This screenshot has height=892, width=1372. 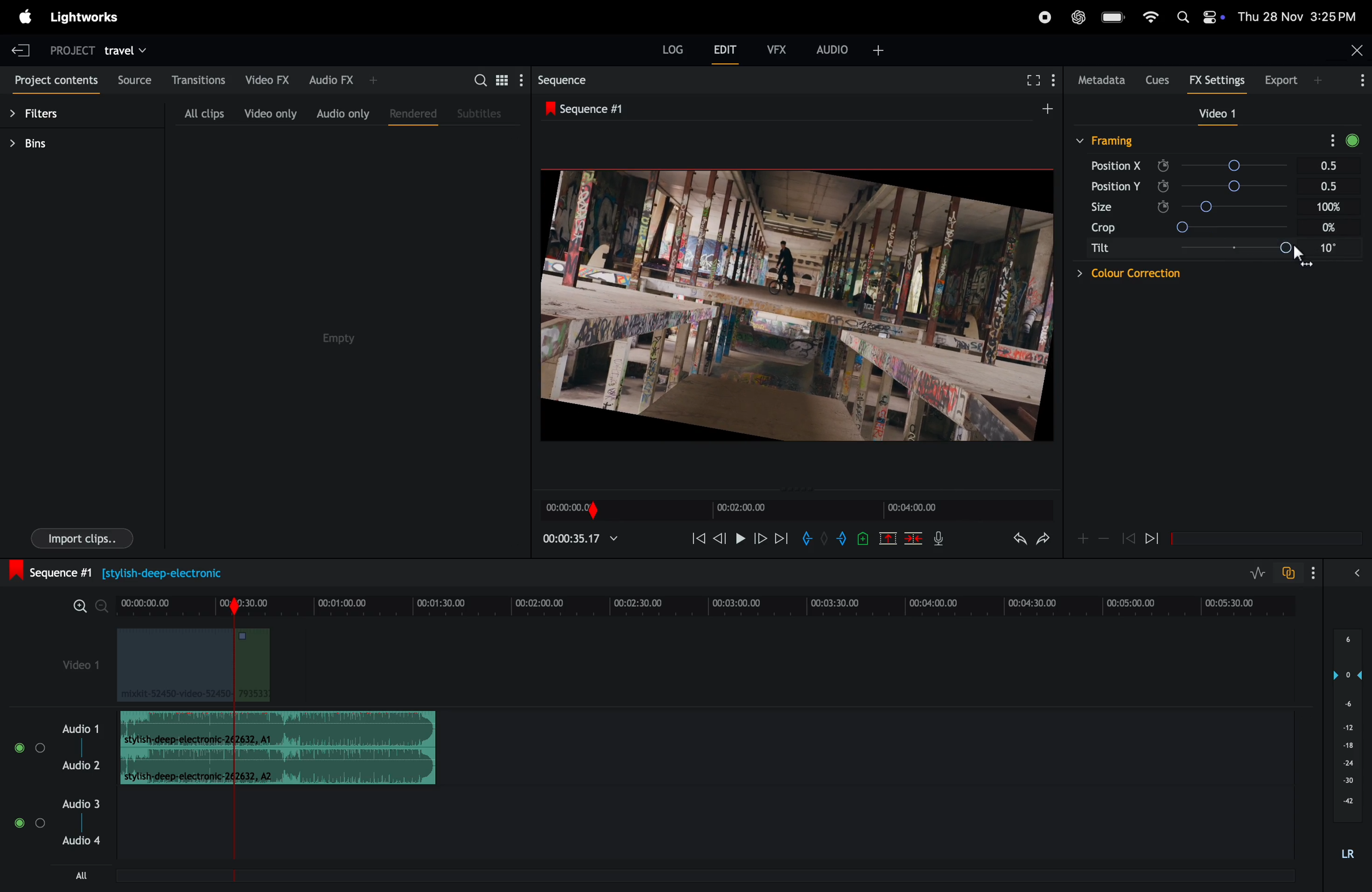 What do you see at coordinates (493, 79) in the screenshot?
I see `search bar` at bounding box center [493, 79].